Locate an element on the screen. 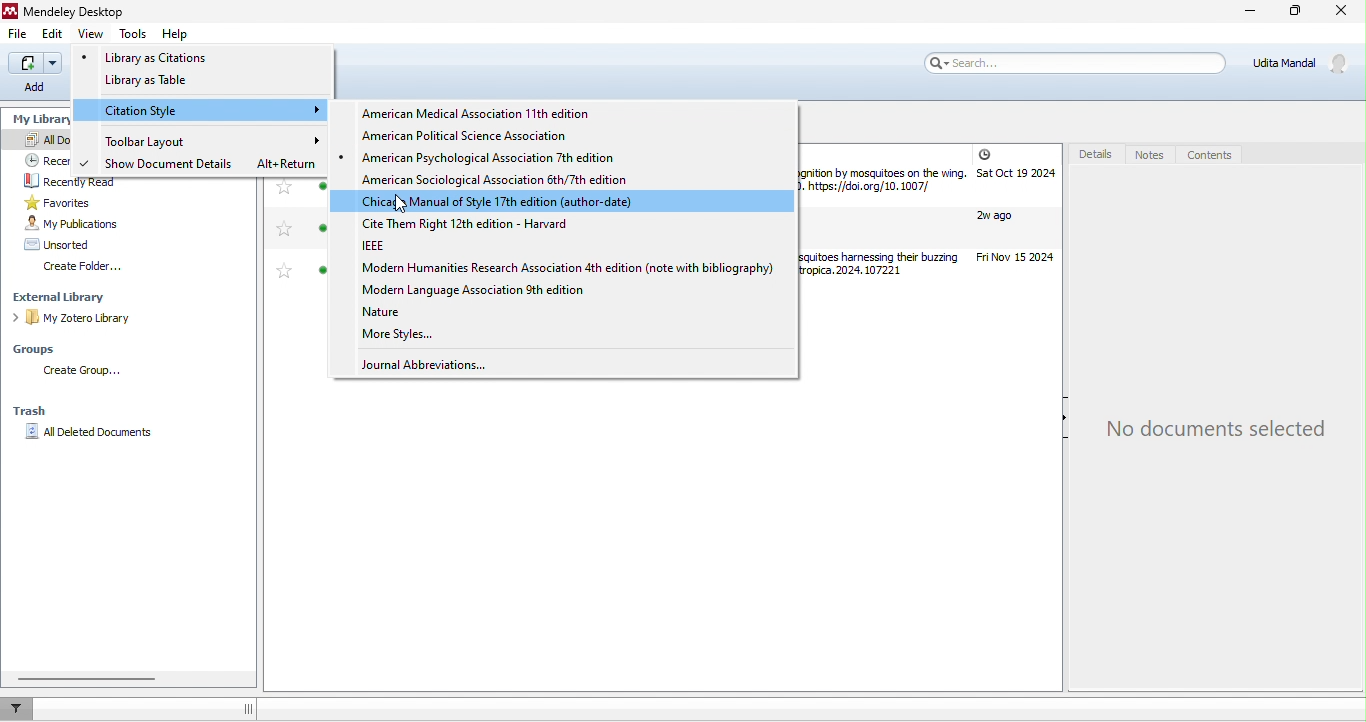 The width and height of the screenshot is (1366, 722). close is located at coordinates (1339, 13).